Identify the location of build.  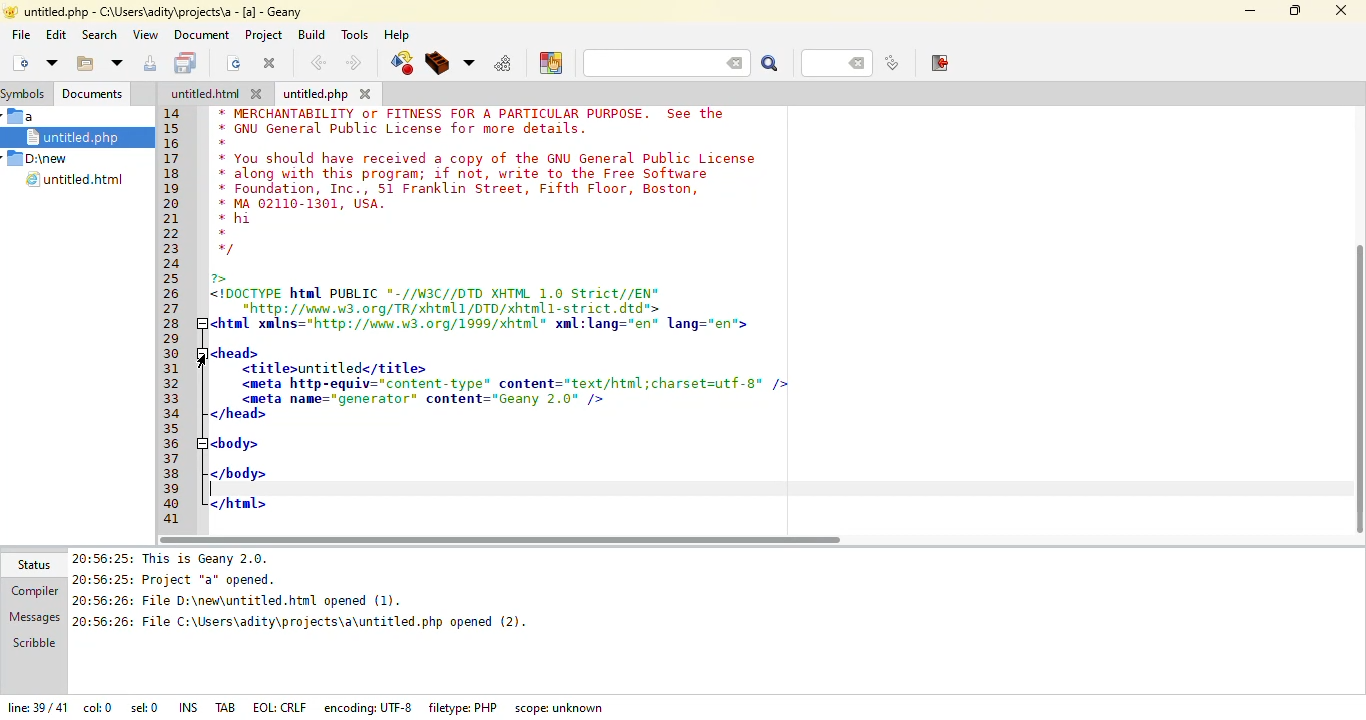
(312, 36).